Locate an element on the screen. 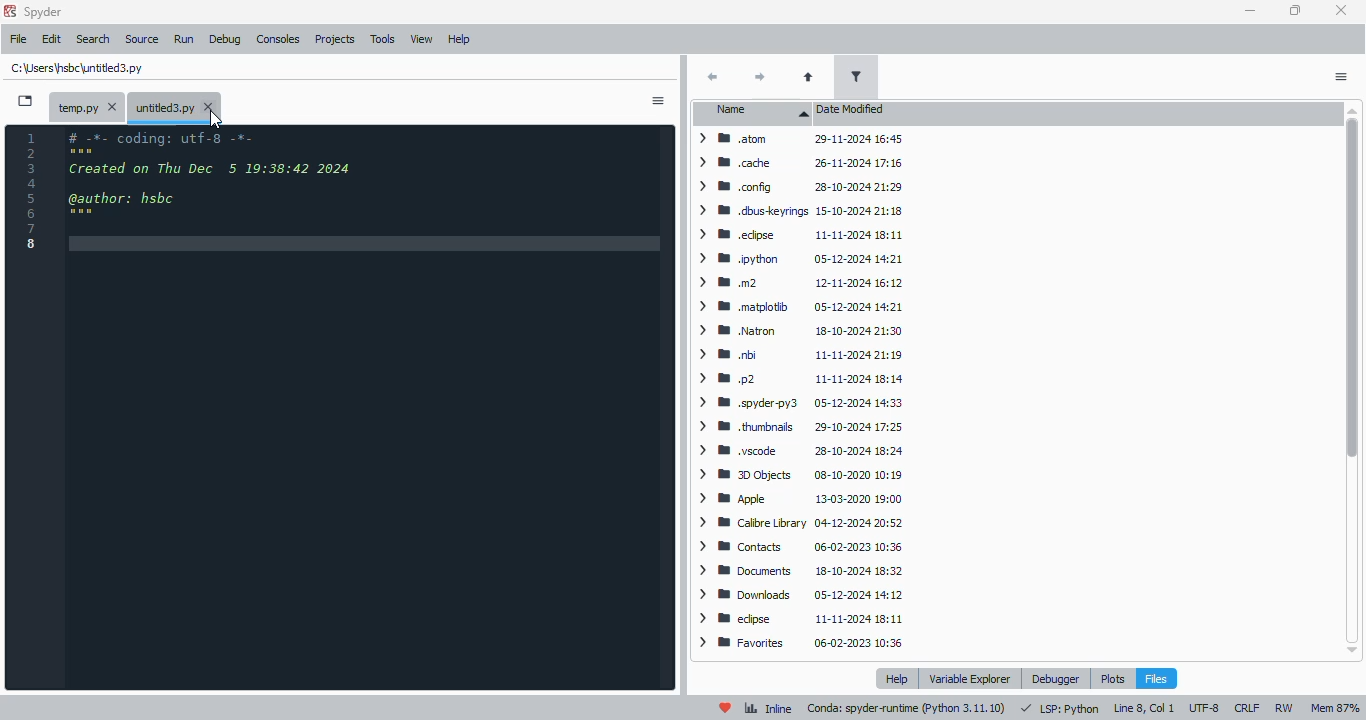 This screenshot has width=1366, height=720. LSP: python is located at coordinates (1060, 708).